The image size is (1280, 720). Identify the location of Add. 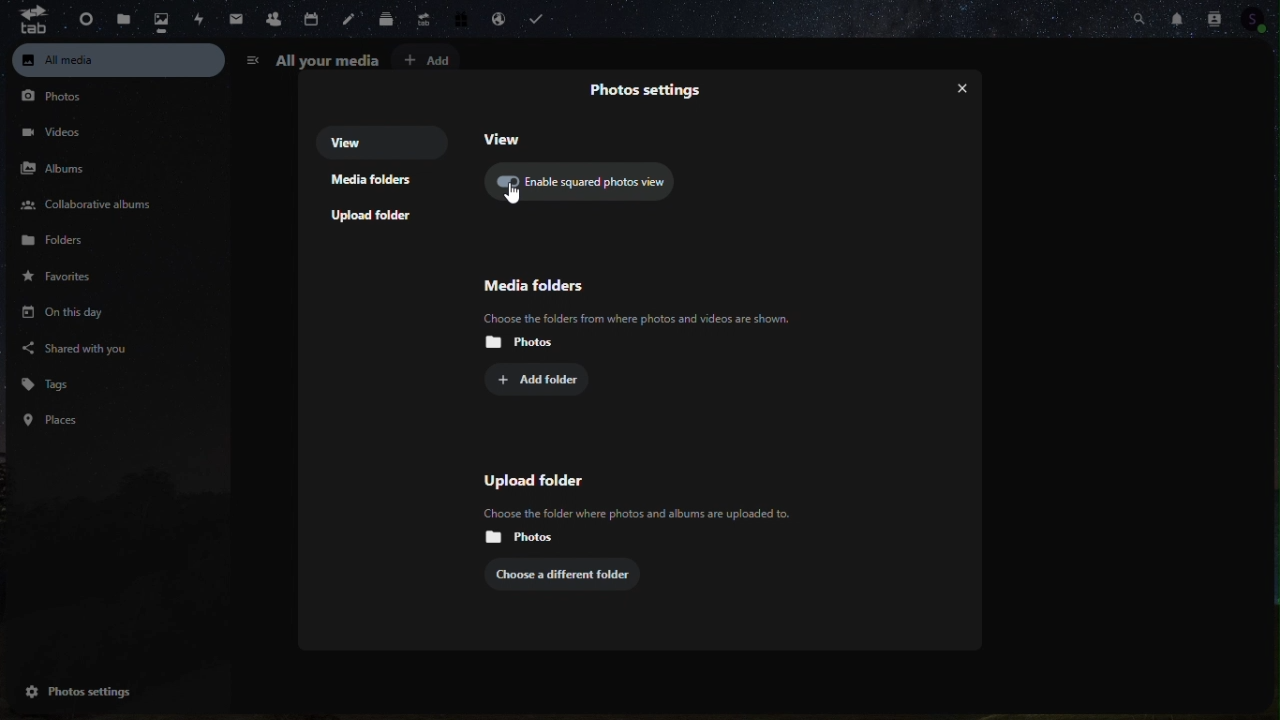
(433, 59).